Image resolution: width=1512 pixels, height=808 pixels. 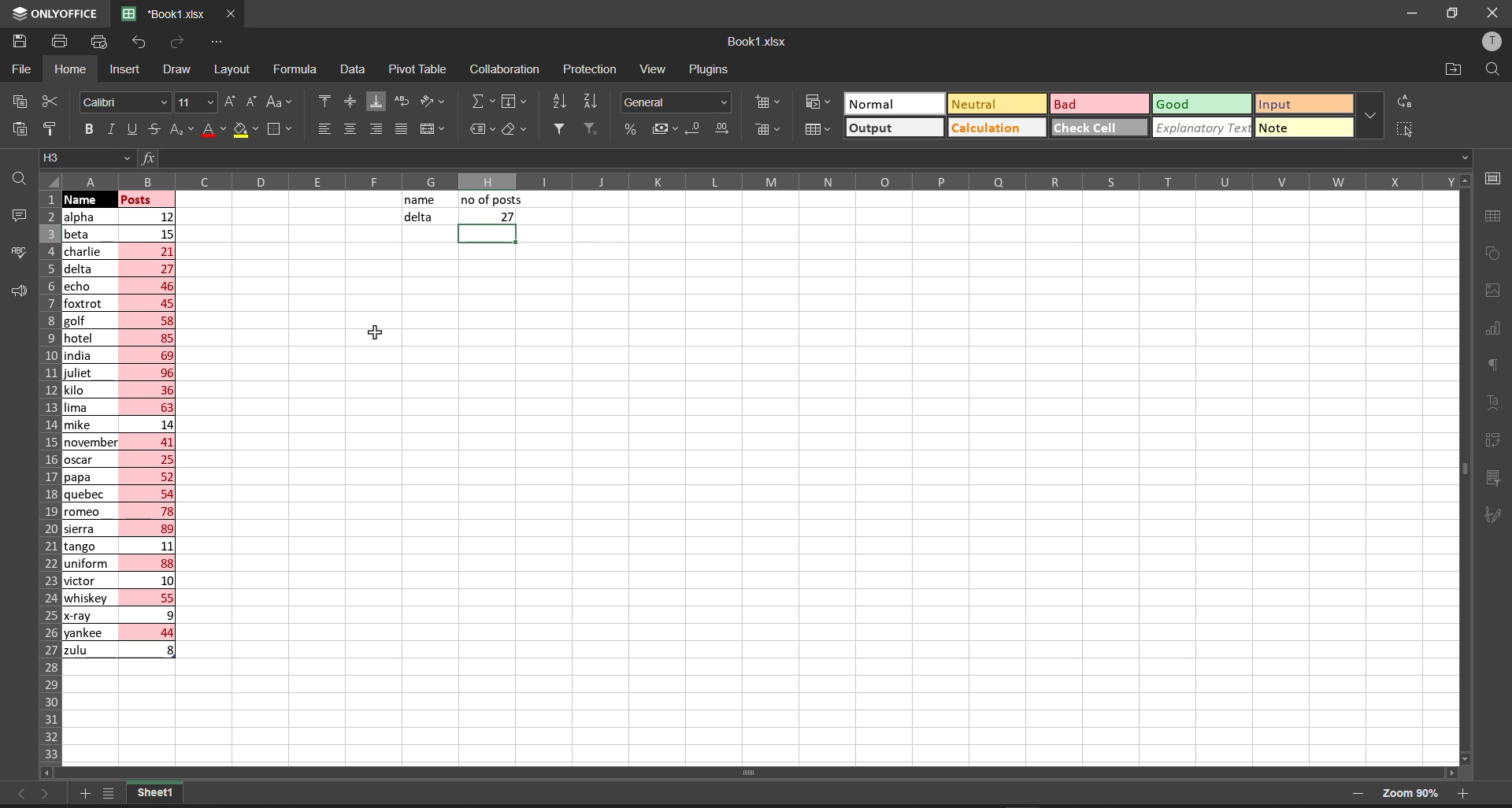 I want to click on cell address, so click(x=84, y=159).